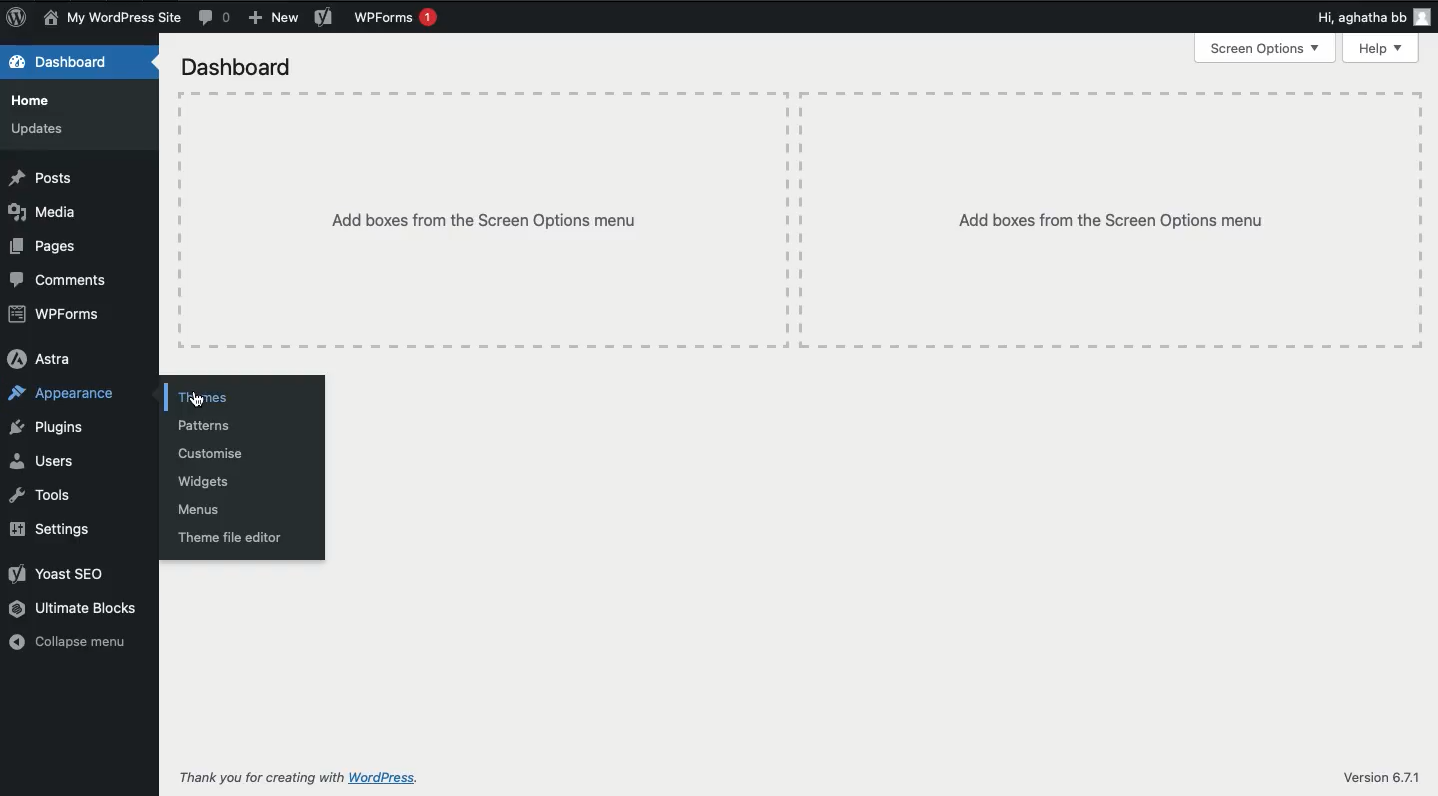 The width and height of the screenshot is (1438, 796). I want to click on Settings, so click(48, 529).